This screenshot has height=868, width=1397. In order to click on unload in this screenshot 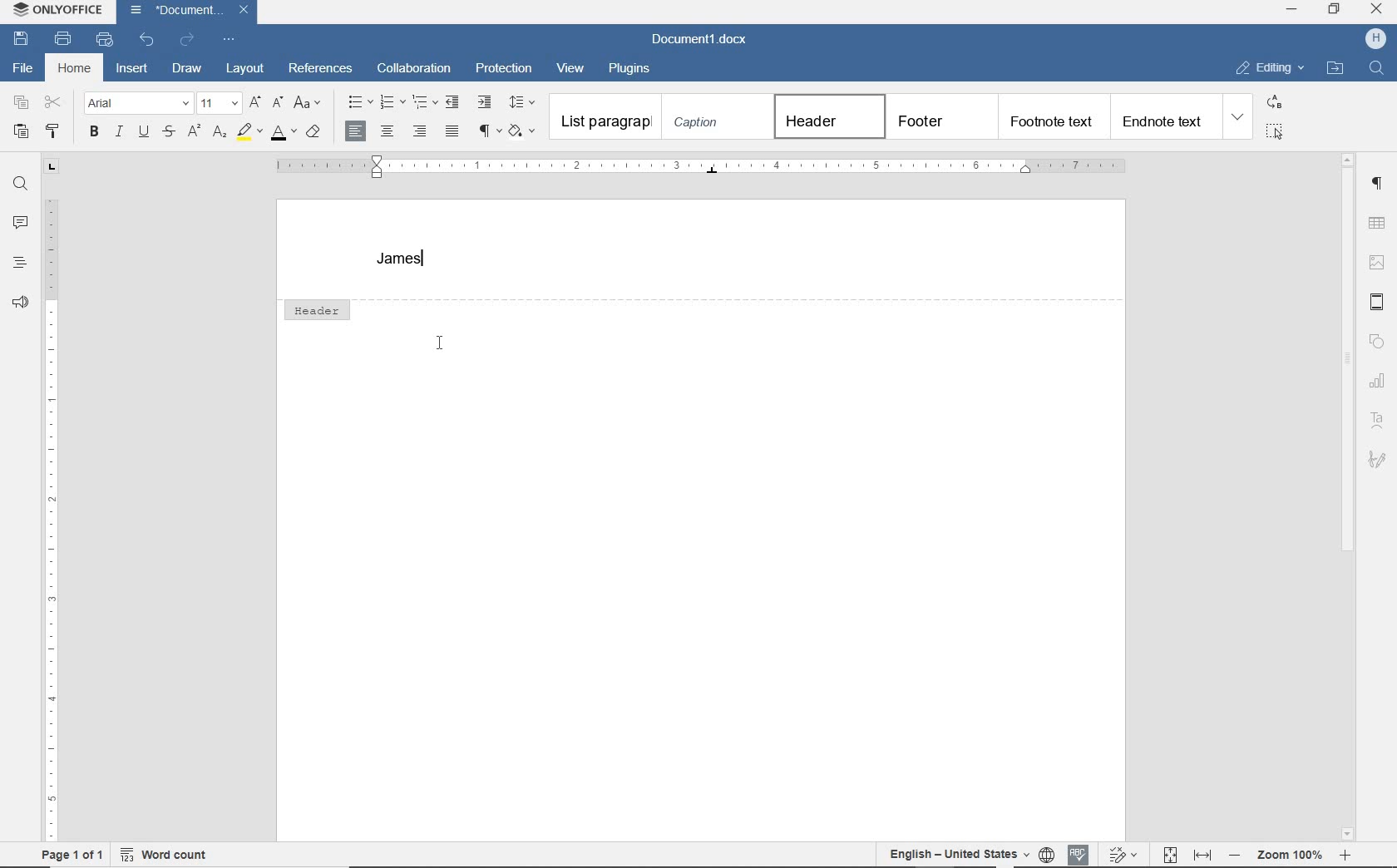, I will do `click(147, 38)`.